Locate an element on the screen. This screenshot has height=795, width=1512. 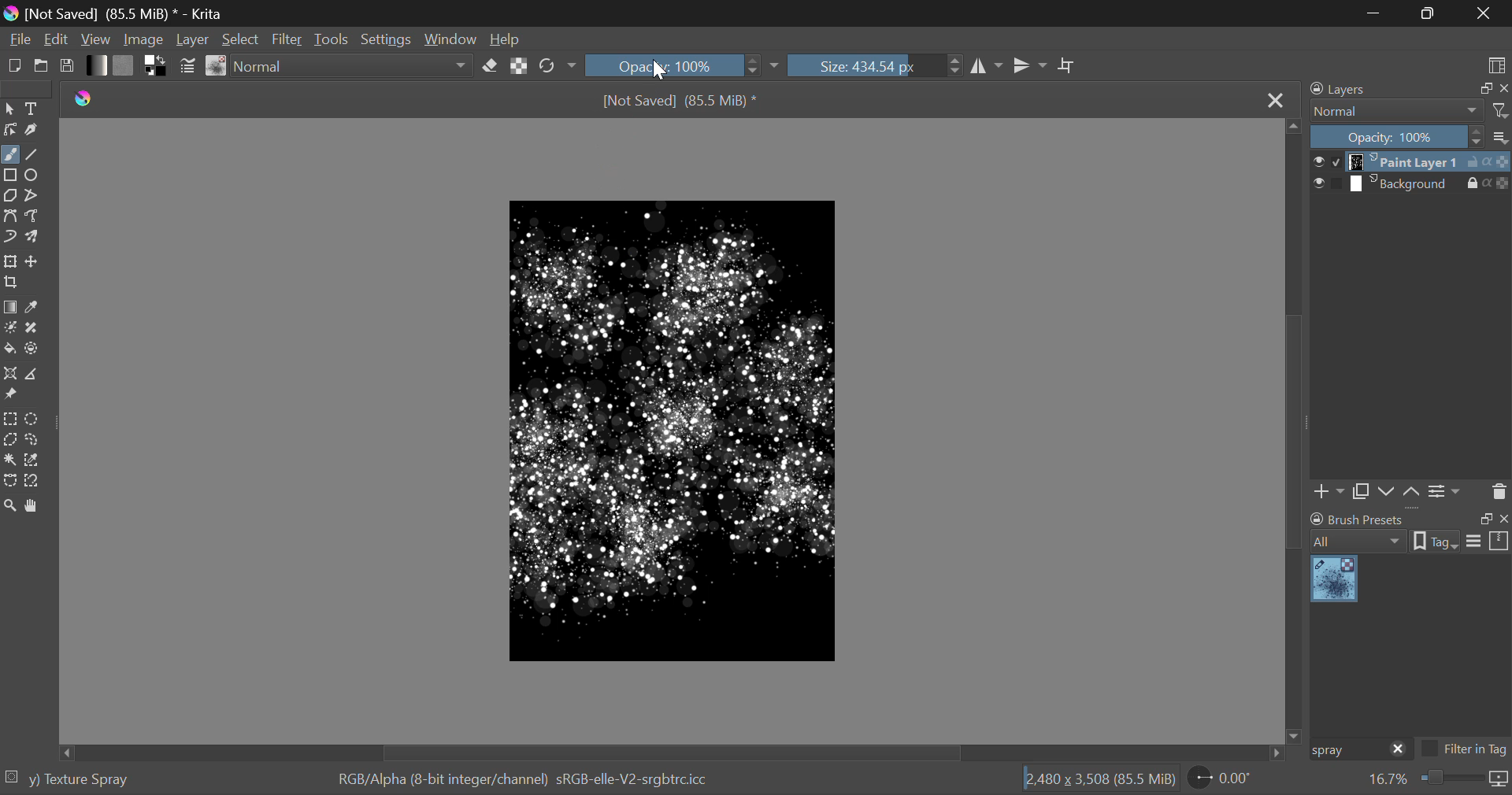
Add Layer is located at coordinates (1329, 494).